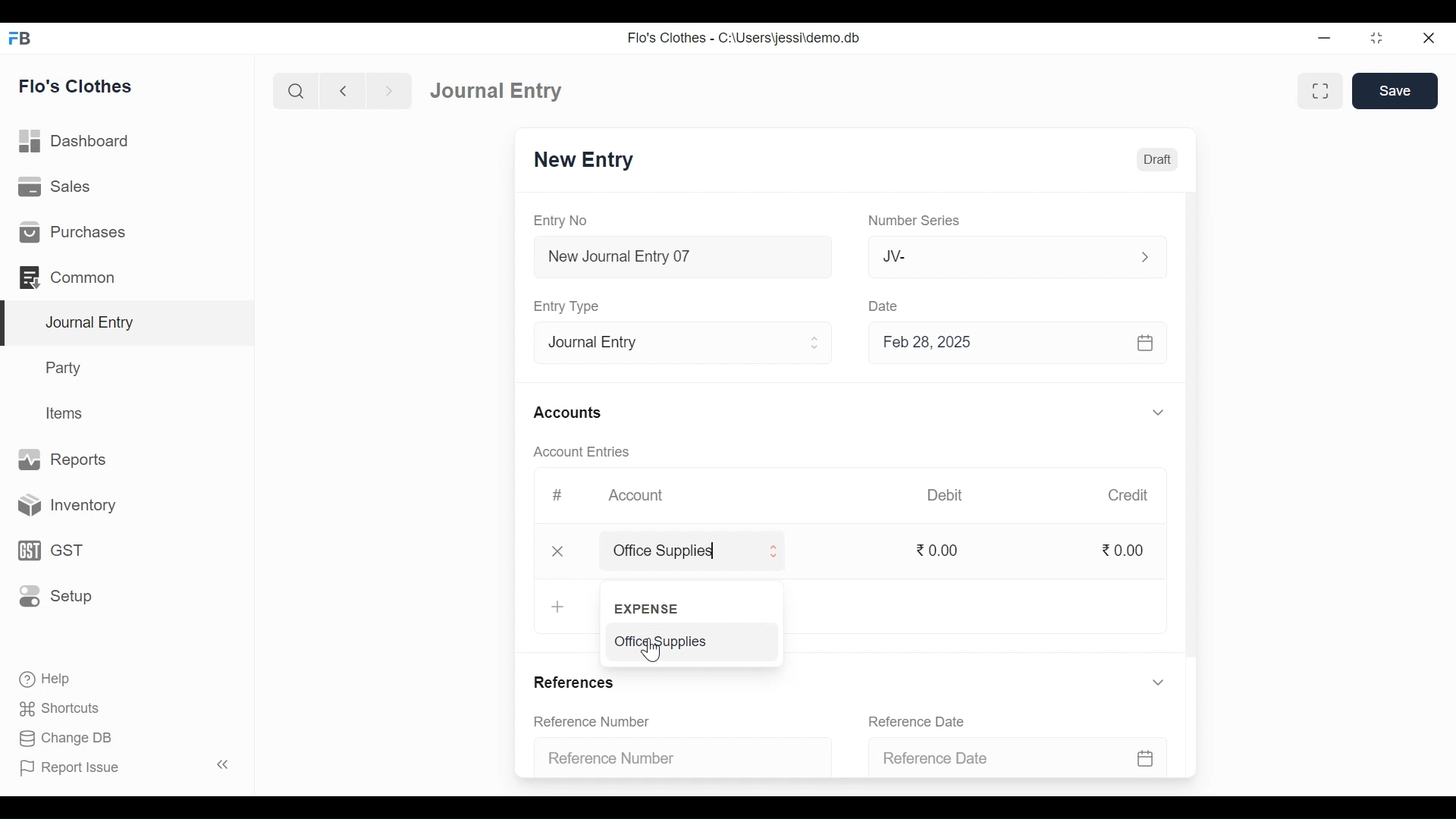 The width and height of the screenshot is (1456, 819). What do you see at coordinates (342, 91) in the screenshot?
I see `Navigate Back` at bounding box center [342, 91].